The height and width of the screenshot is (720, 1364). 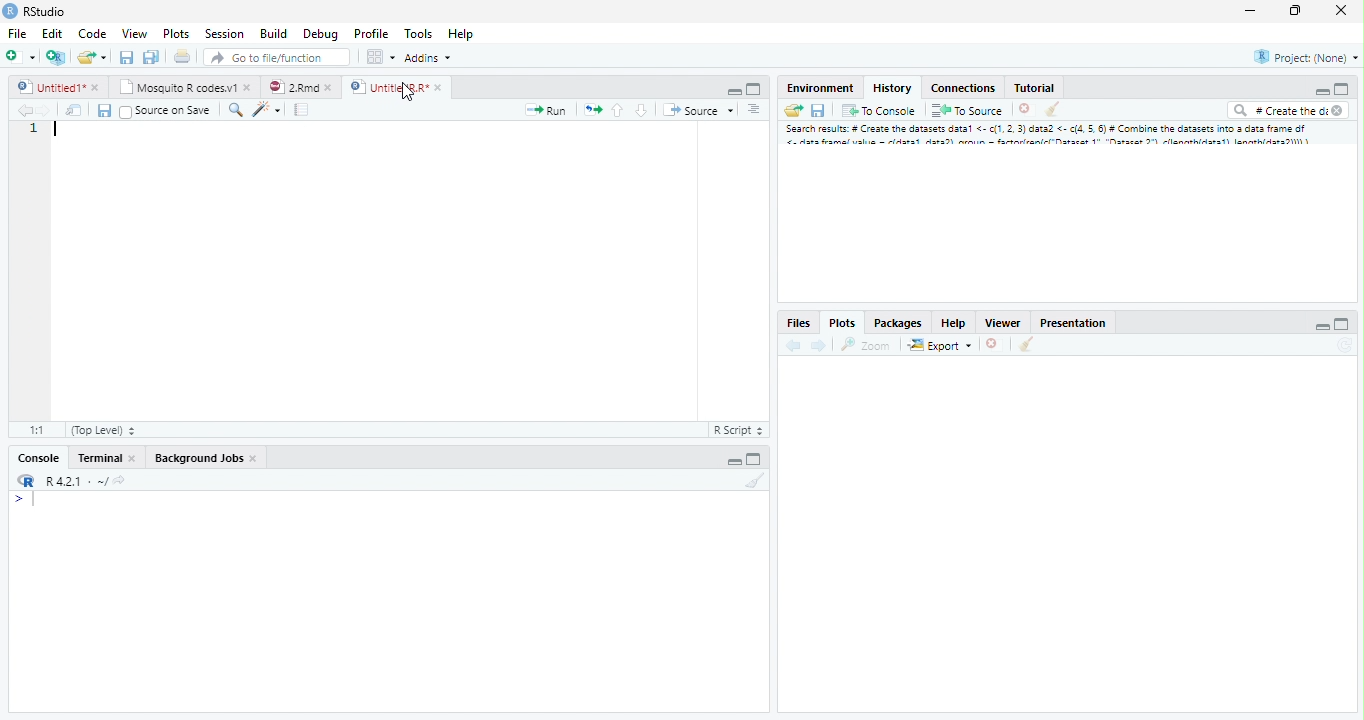 What do you see at coordinates (185, 57) in the screenshot?
I see `Print` at bounding box center [185, 57].